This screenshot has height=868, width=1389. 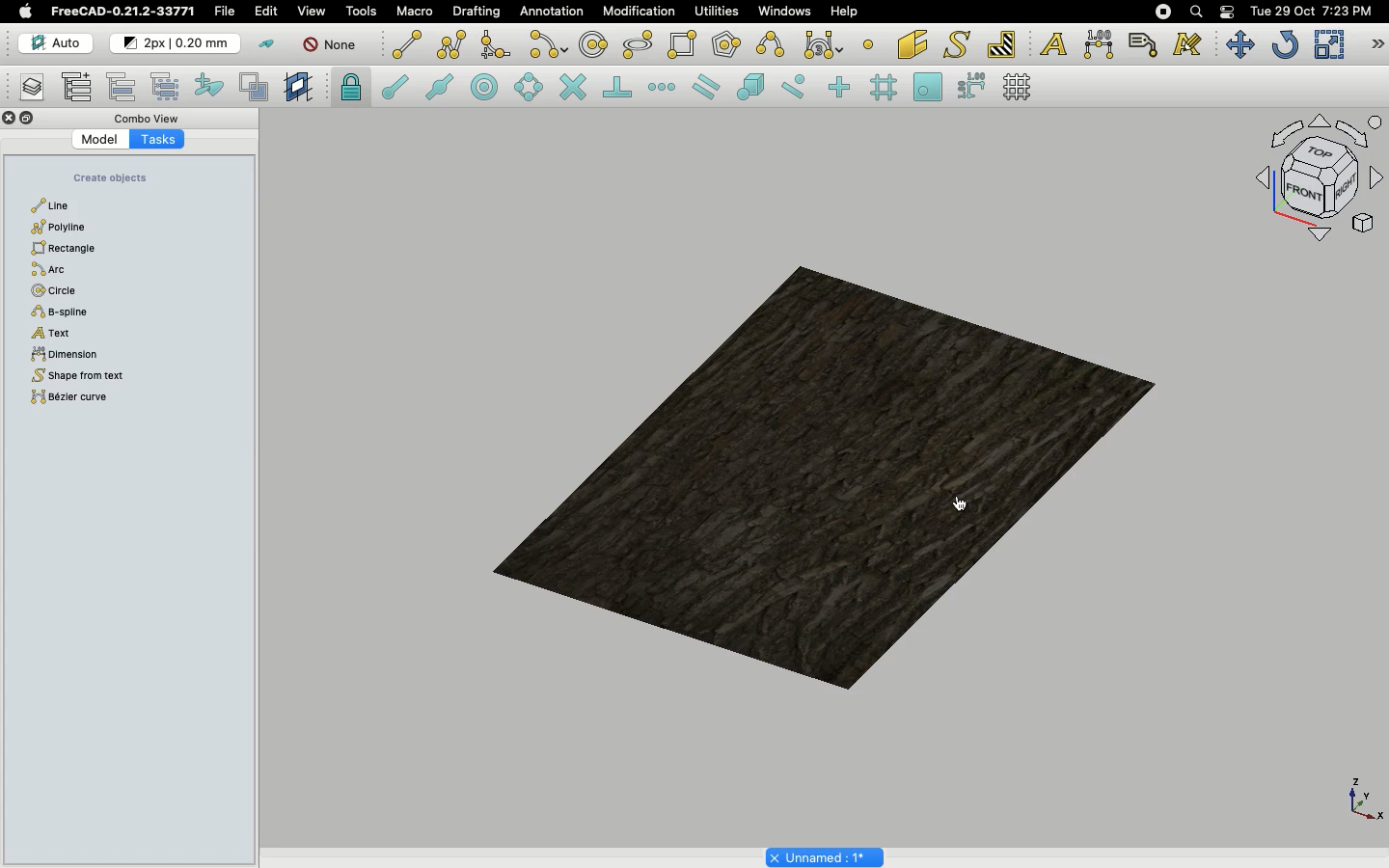 I want to click on Snap near, so click(x=793, y=88).